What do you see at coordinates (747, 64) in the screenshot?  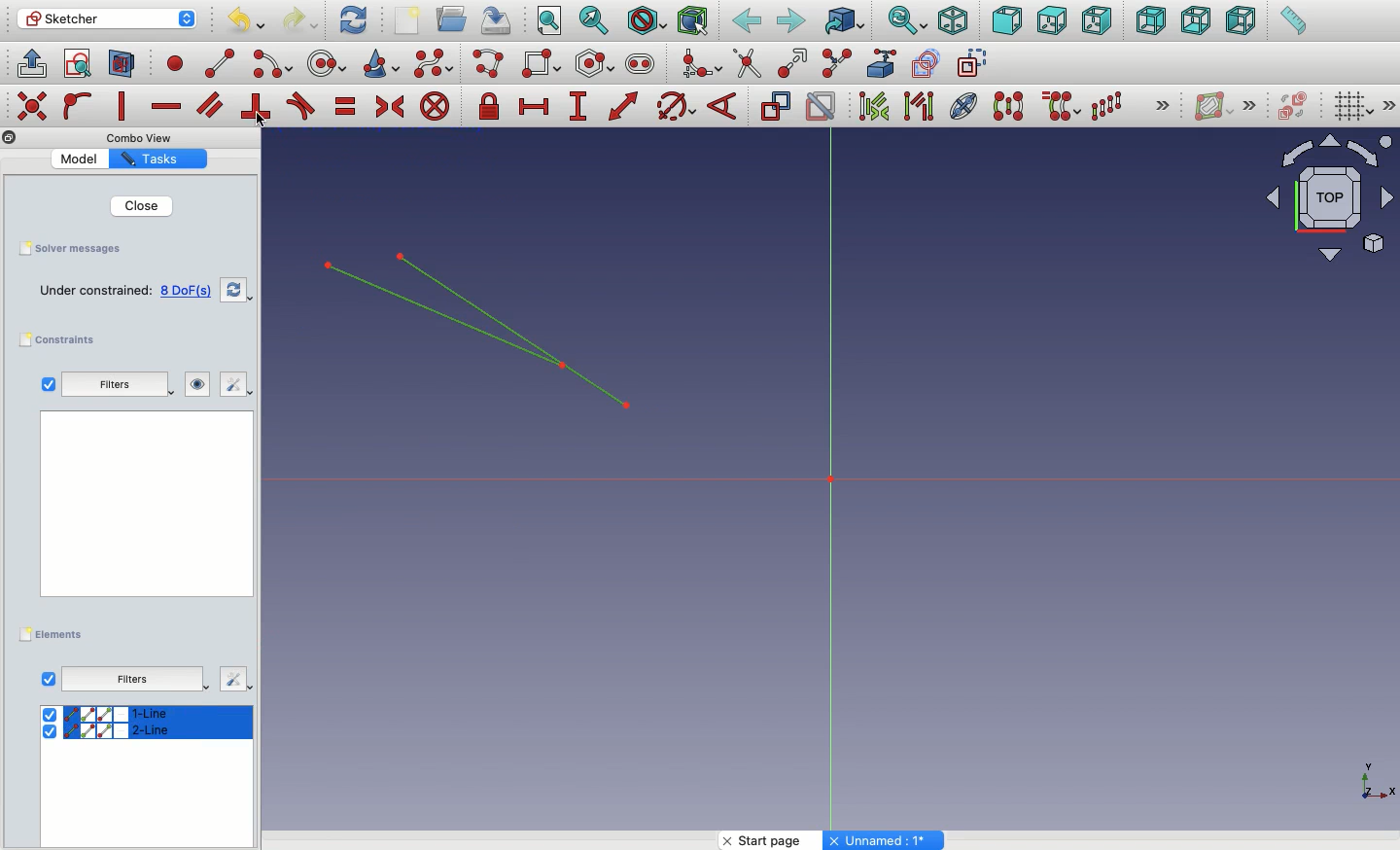 I see `trim edge` at bounding box center [747, 64].